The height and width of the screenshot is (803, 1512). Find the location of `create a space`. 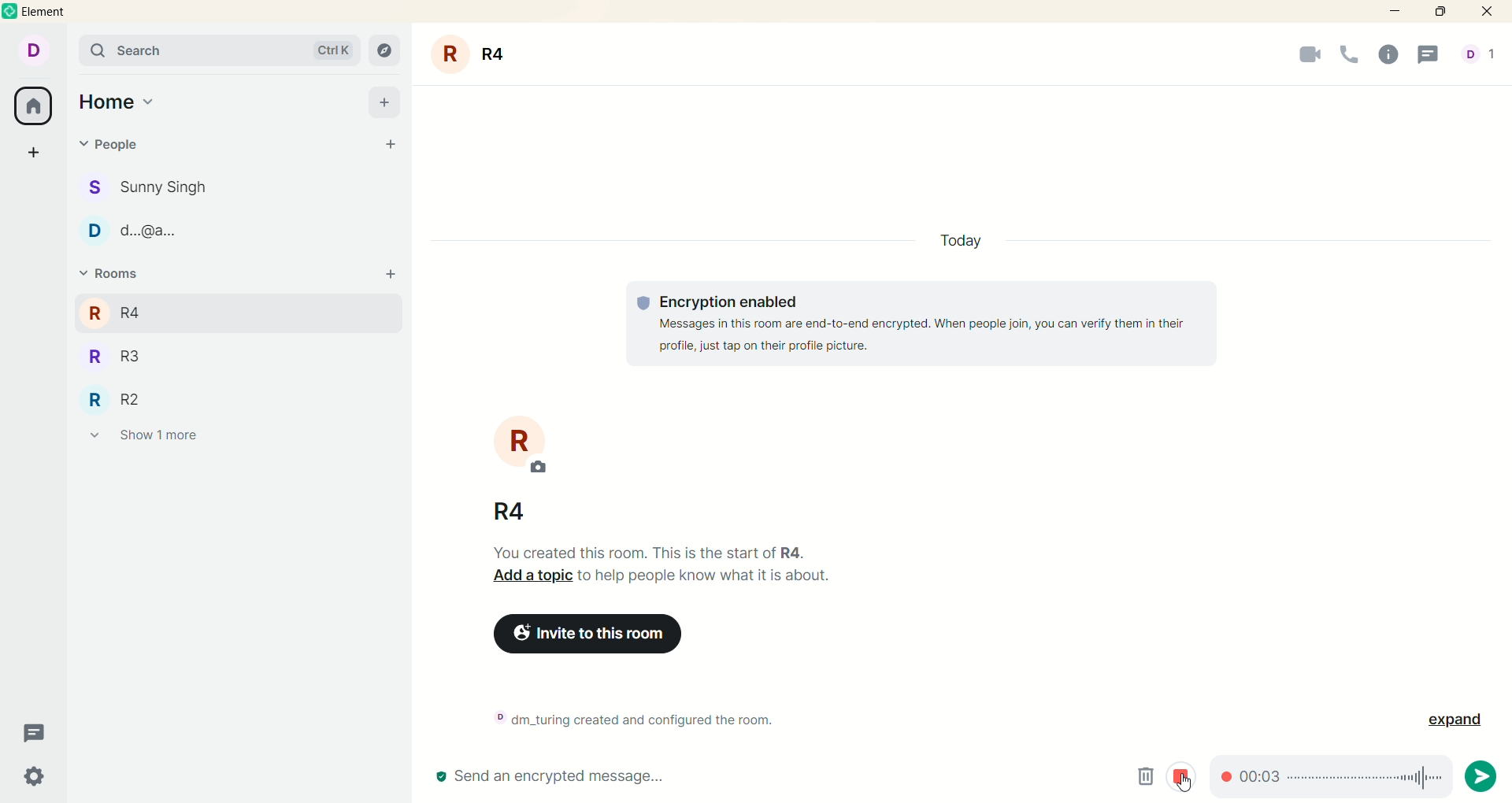

create a space is located at coordinates (34, 154).